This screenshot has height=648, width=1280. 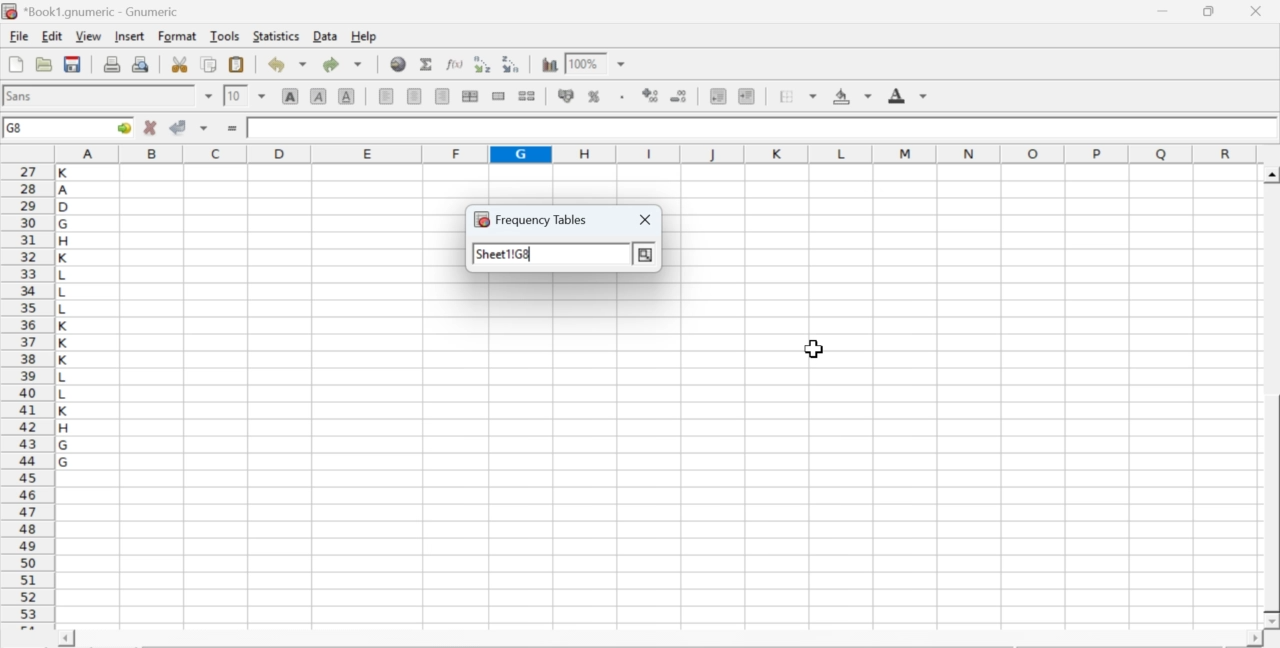 I want to click on accept changes across selection, so click(x=203, y=127).